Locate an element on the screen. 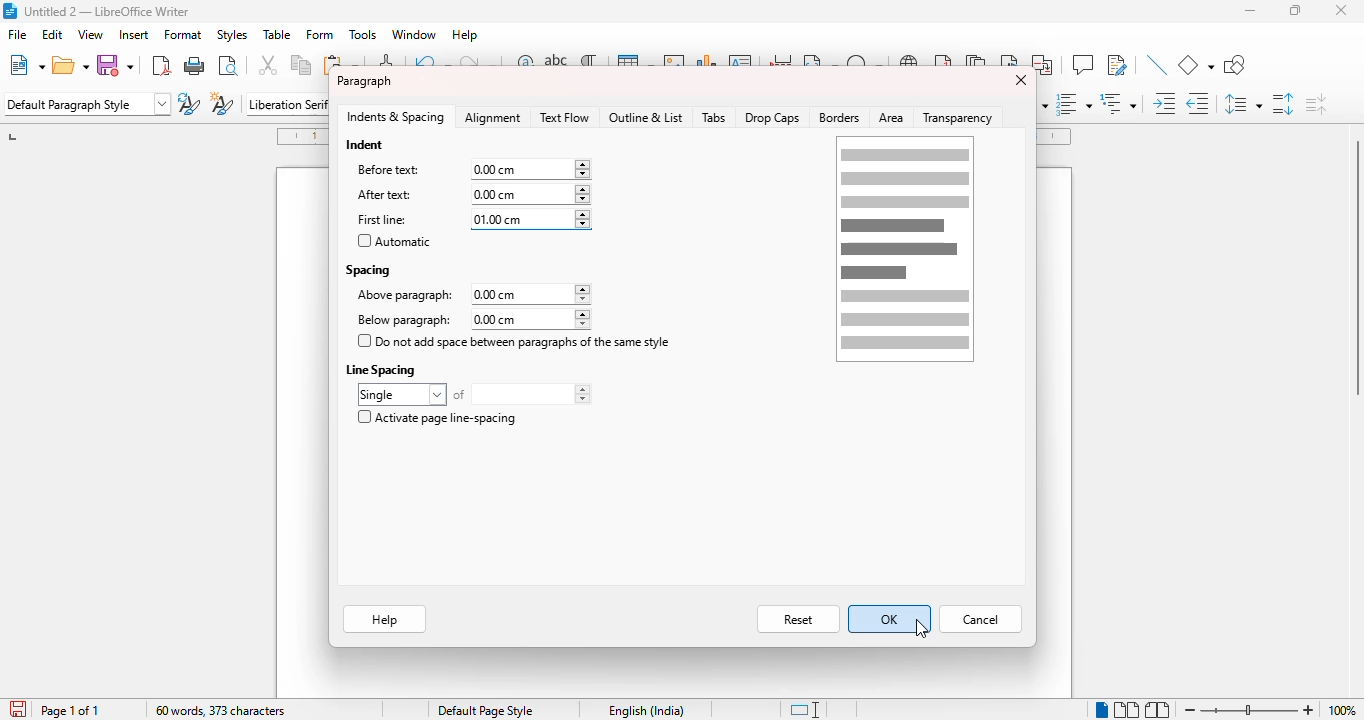  export directly as PDF is located at coordinates (160, 65).